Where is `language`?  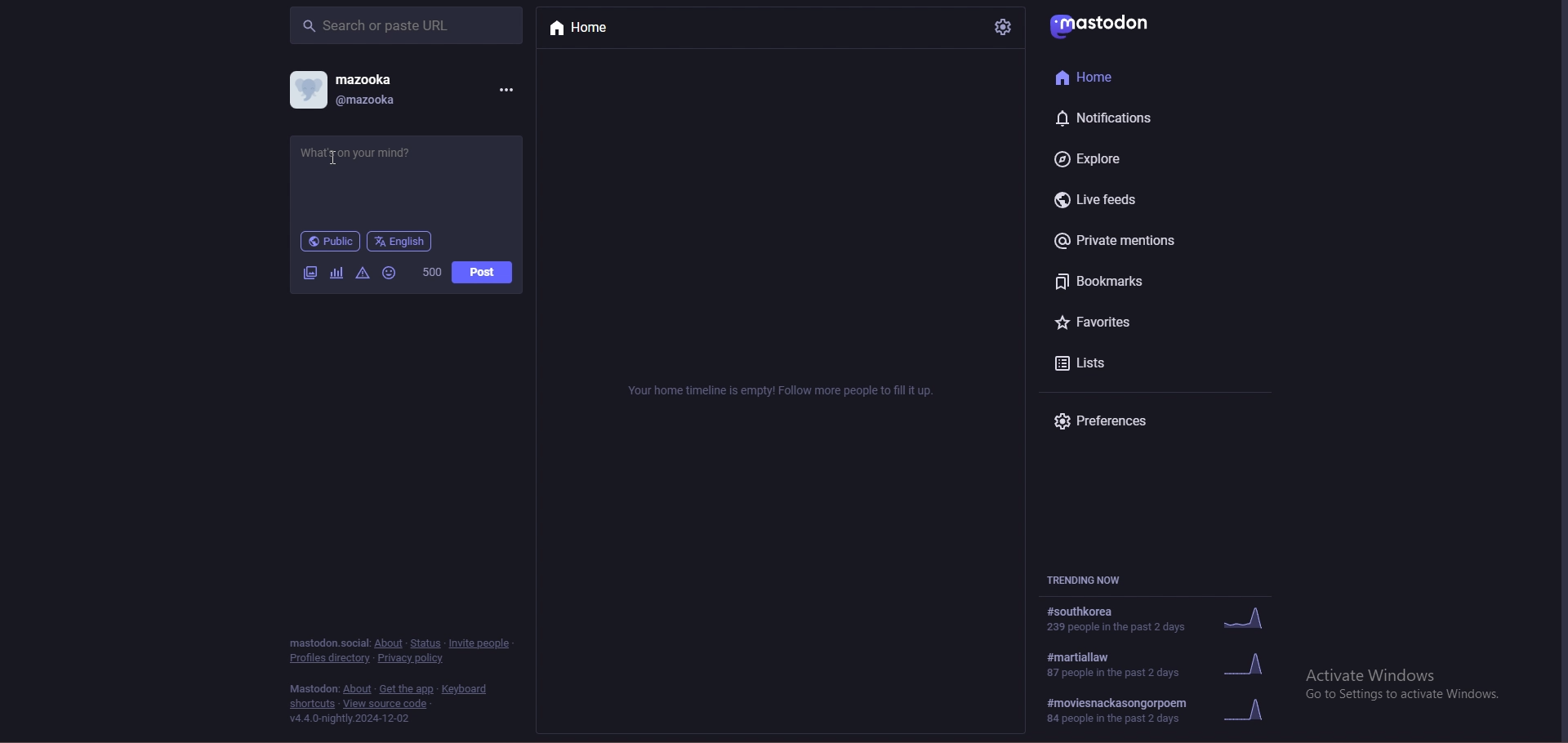
language is located at coordinates (399, 241).